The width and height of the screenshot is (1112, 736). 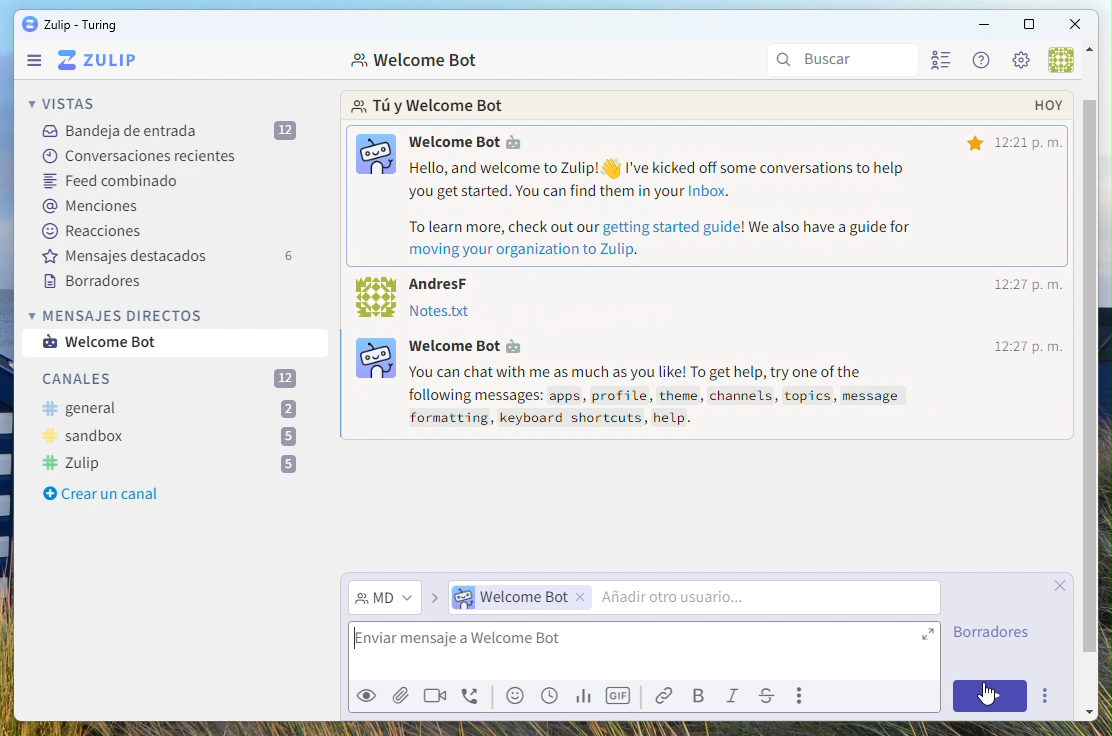 What do you see at coordinates (97, 495) in the screenshot?
I see `Create a channel` at bounding box center [97, 495].